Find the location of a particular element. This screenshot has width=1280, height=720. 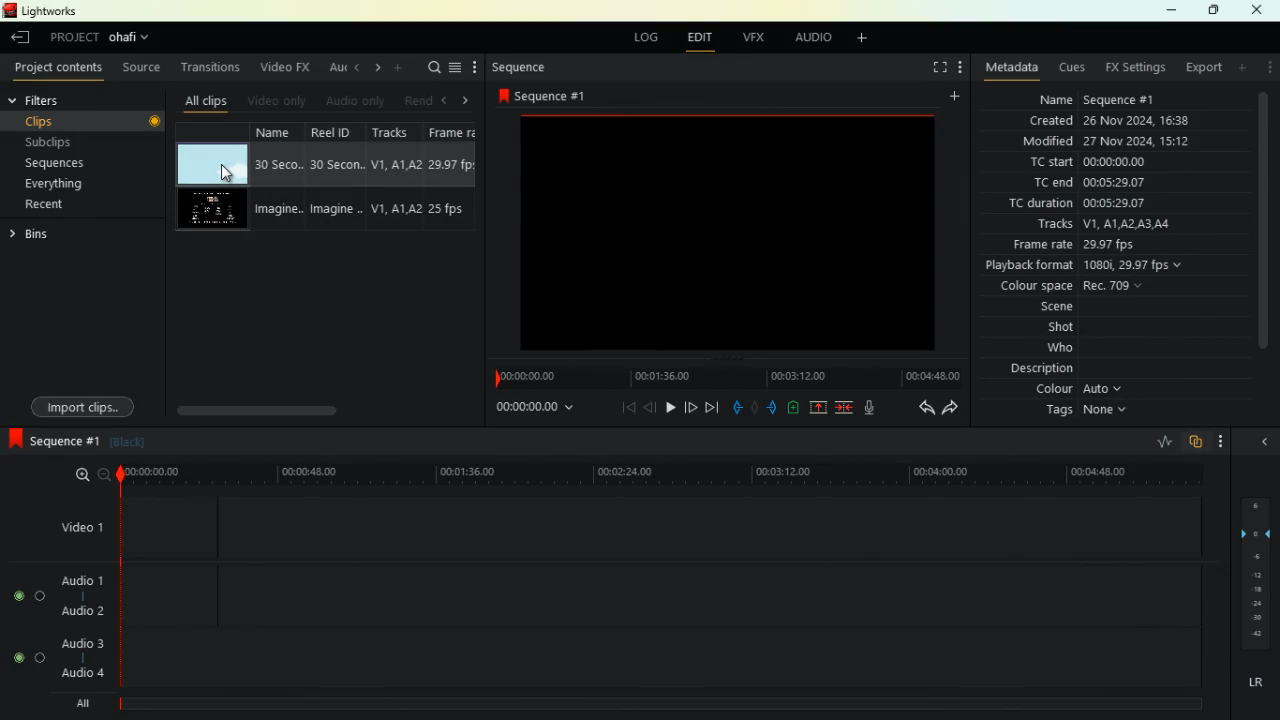

frame rate is located at coordinates (1106, 246).